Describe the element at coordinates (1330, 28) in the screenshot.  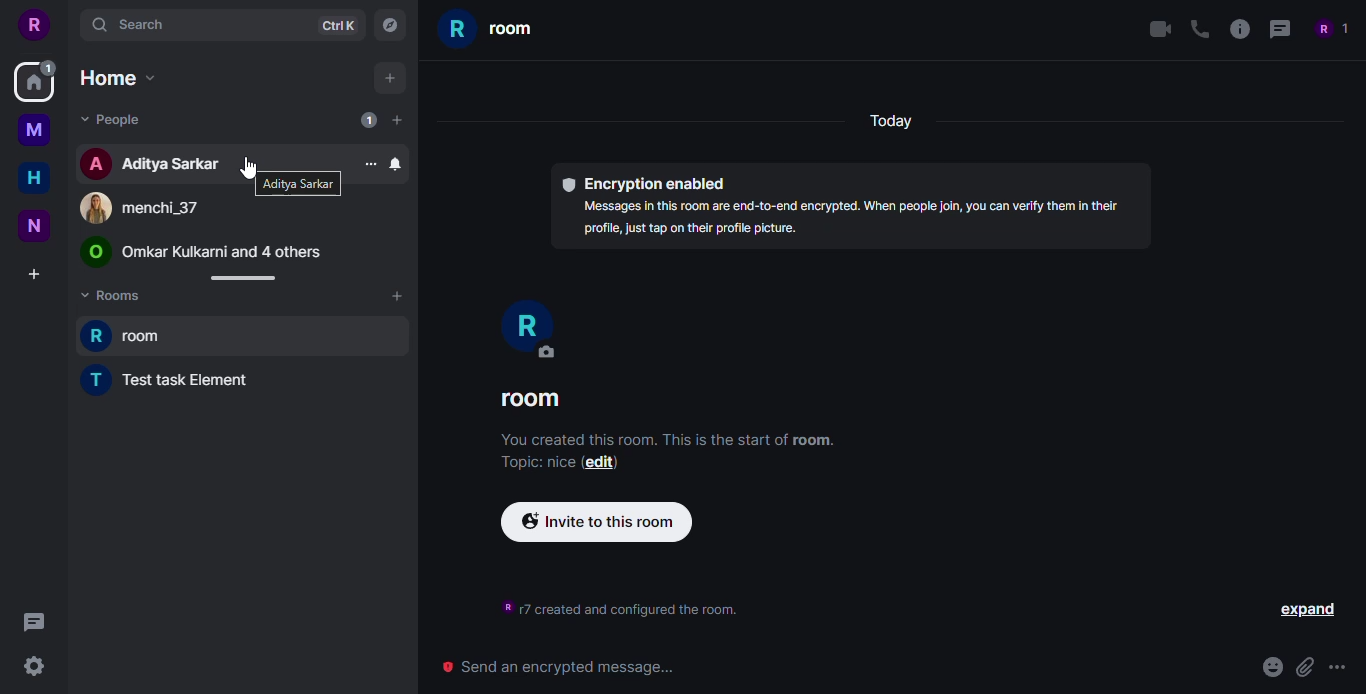
I see `people` at that location.